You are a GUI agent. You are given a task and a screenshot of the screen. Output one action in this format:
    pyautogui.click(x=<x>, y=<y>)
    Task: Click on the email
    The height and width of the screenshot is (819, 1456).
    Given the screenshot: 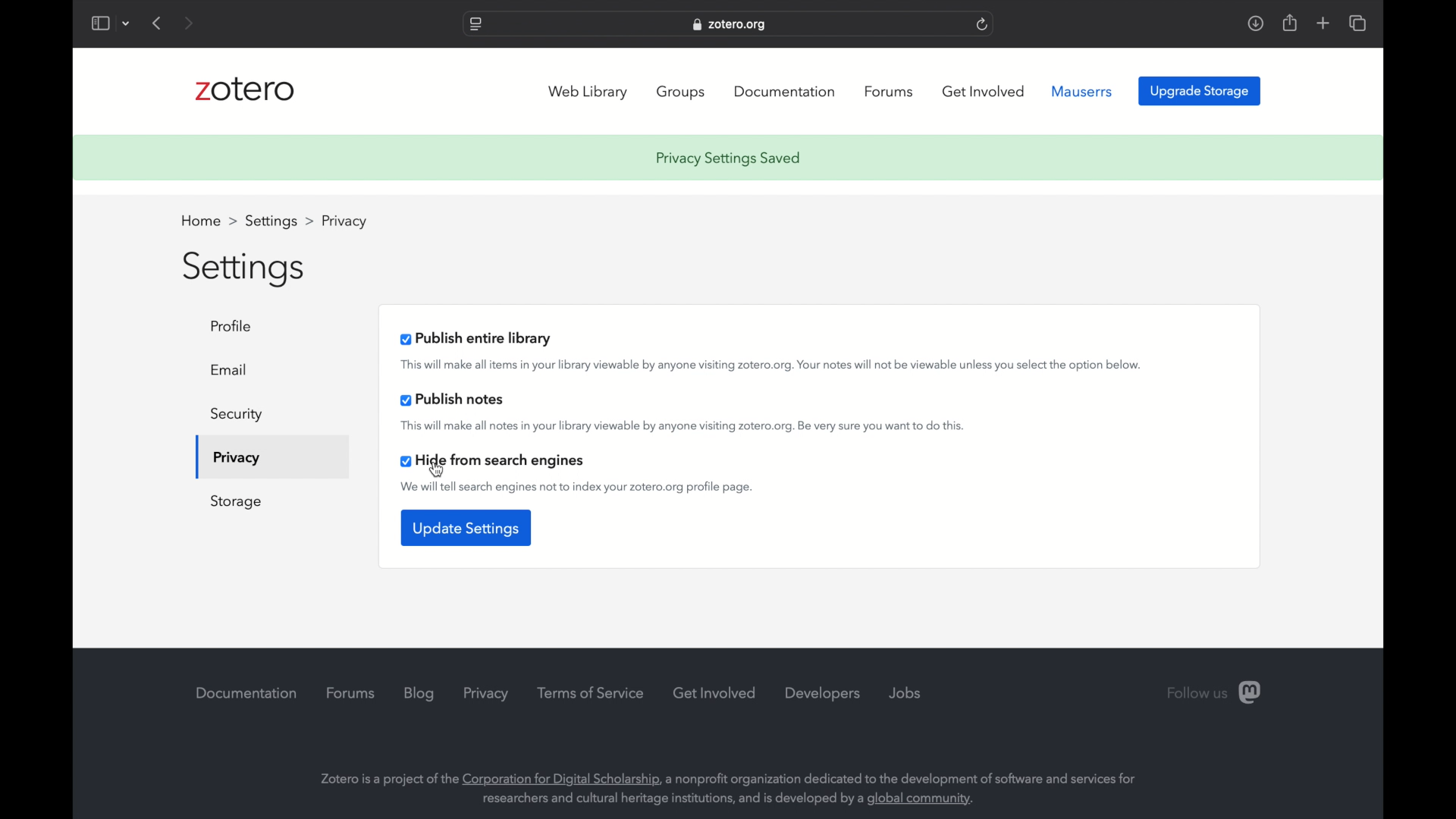 What is the action you would take?
    pyautogui.click(x=229, y=370)
    